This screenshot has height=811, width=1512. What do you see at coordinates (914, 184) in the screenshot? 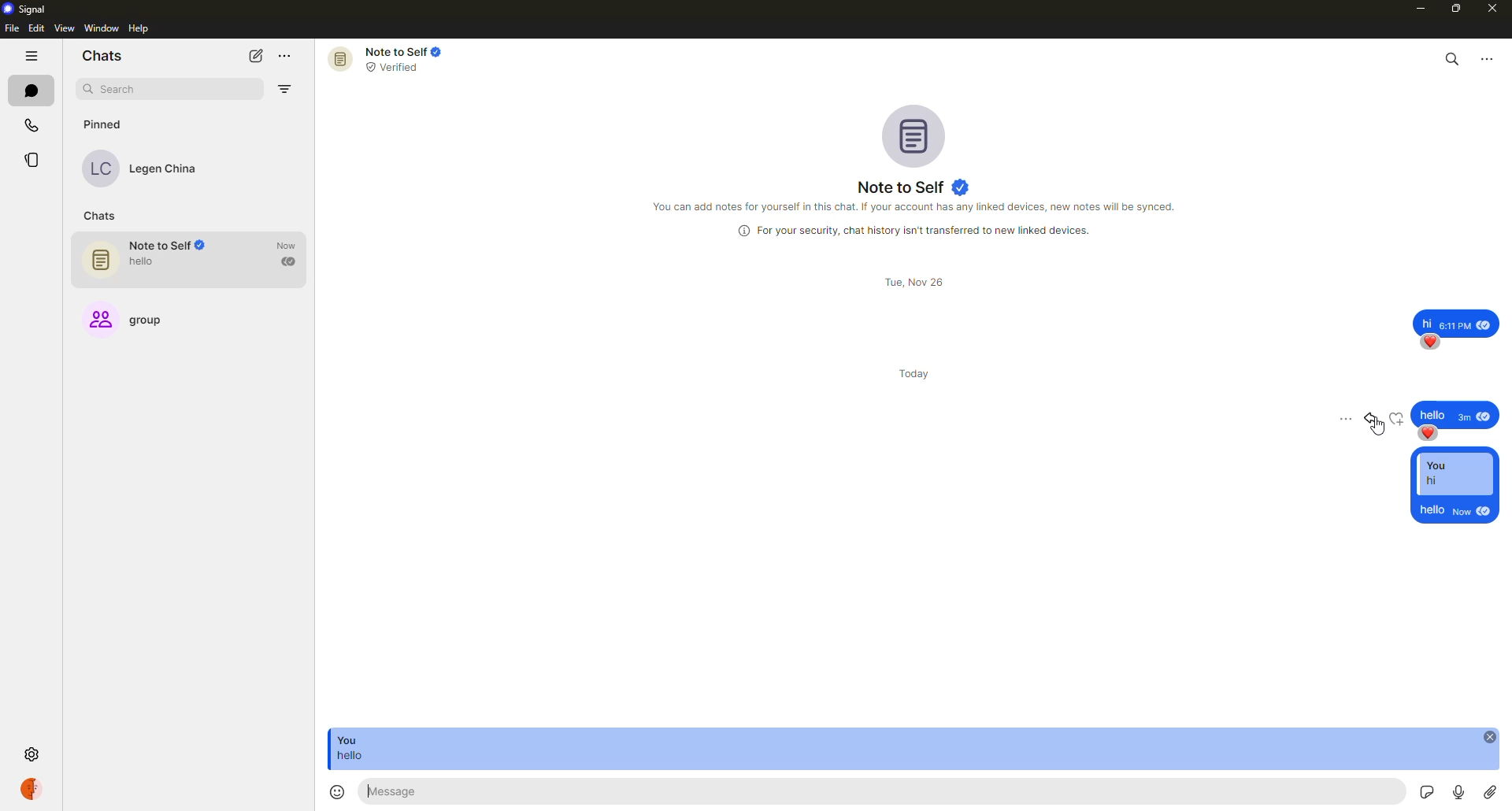
I see `note to self` at bounding box center [914, 184].